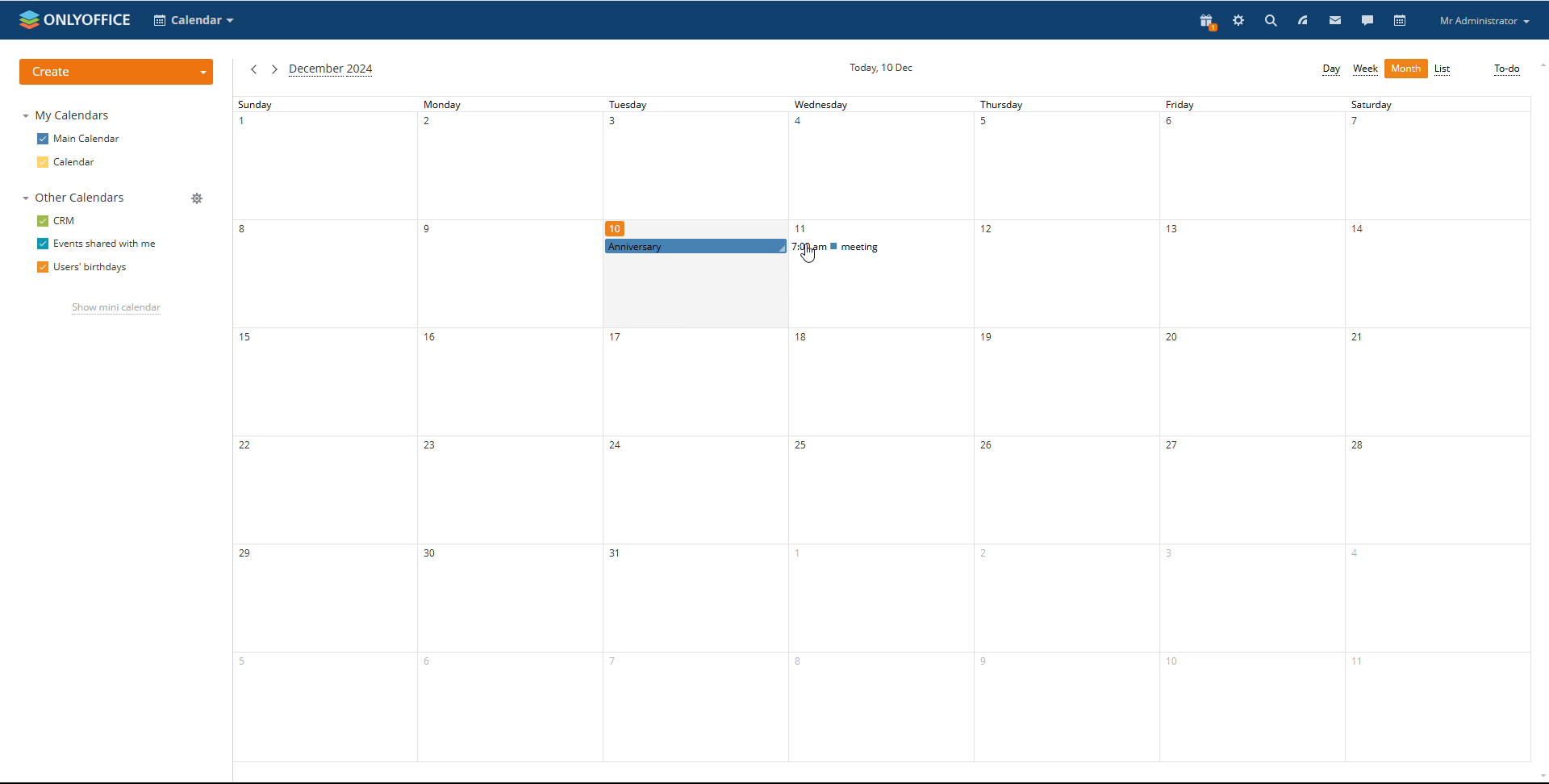 This screenshot has height=784, width=1549. Describe the element at coordinates (1064, 429) in the screenshot. I see `thursday` at that location.